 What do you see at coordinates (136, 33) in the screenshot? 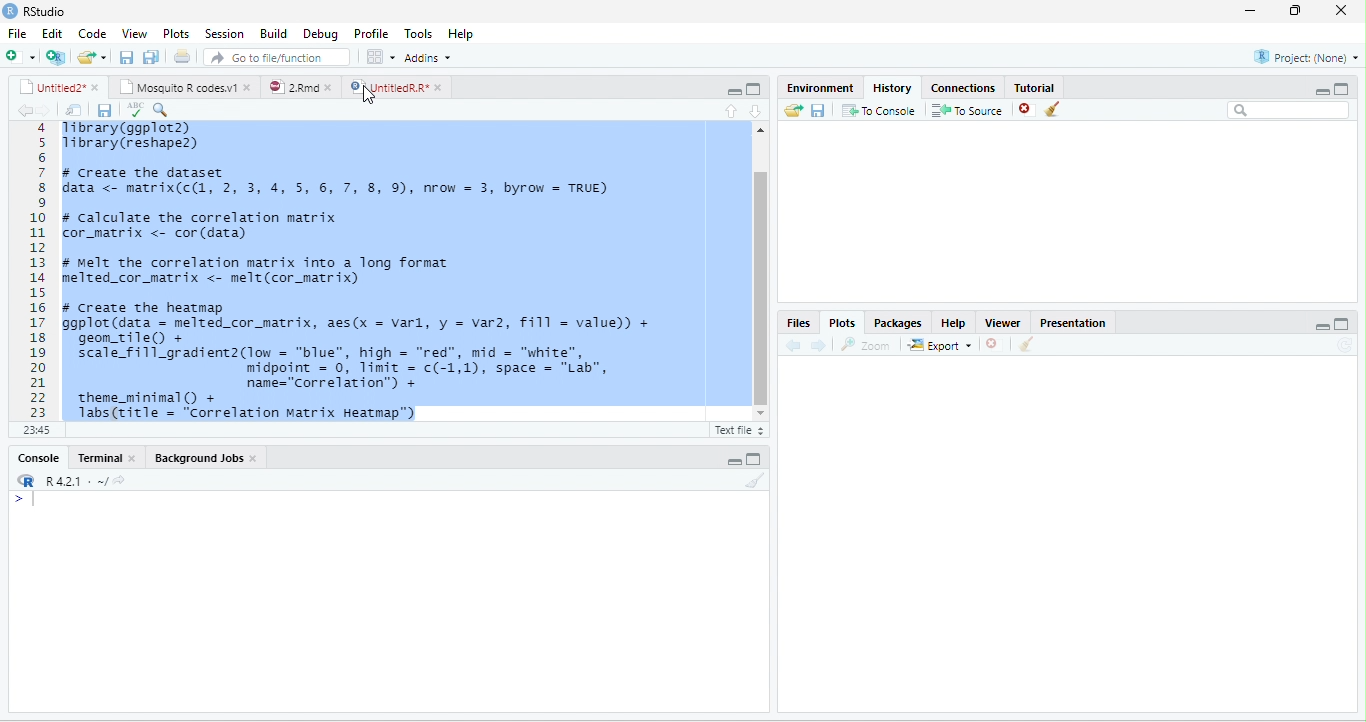
I see `view` at bounding box center [136, 33].